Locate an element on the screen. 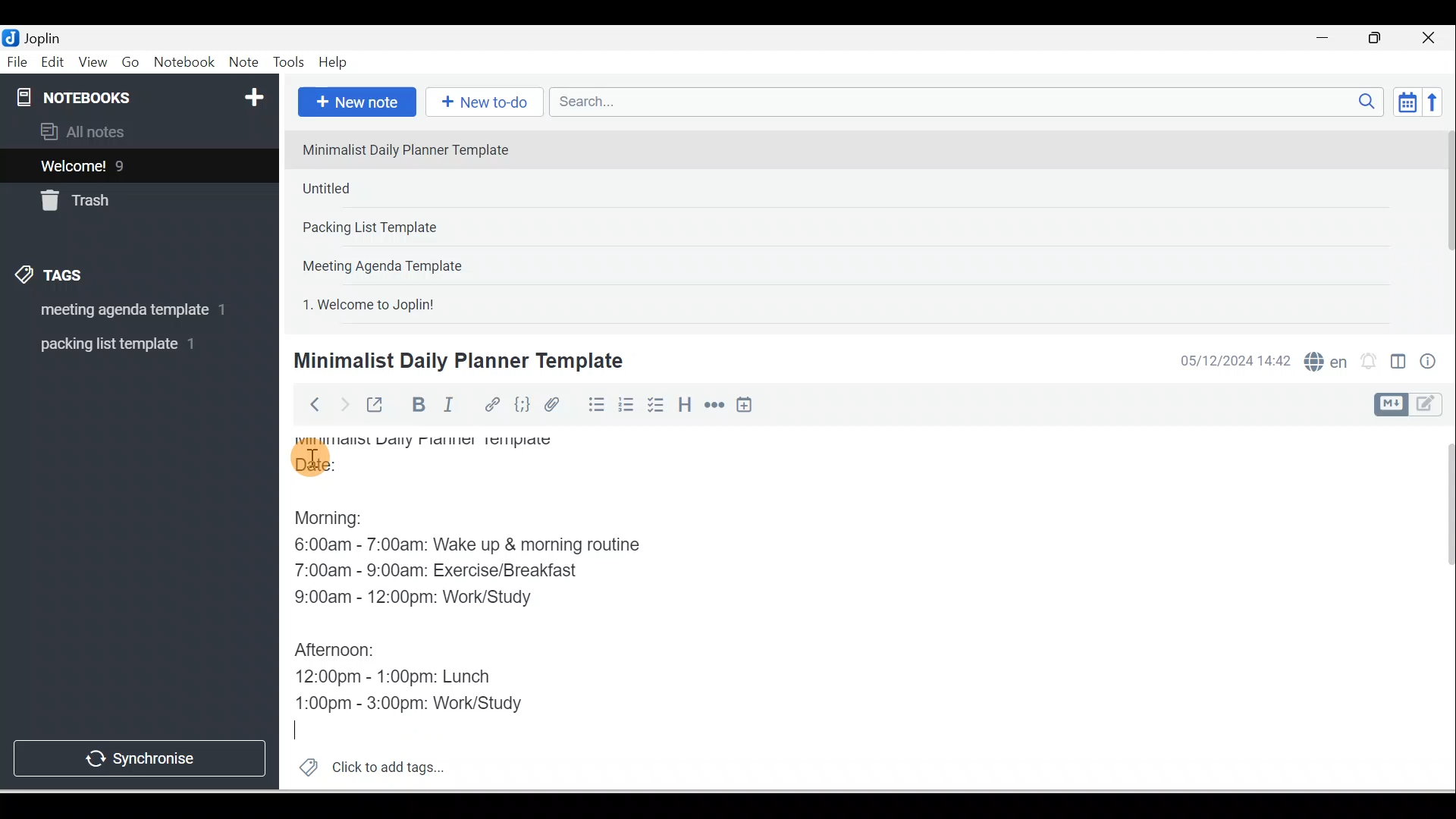 The height and width of the screenshot is (819, 1456). Insert time is located at coordinates (744, 406).